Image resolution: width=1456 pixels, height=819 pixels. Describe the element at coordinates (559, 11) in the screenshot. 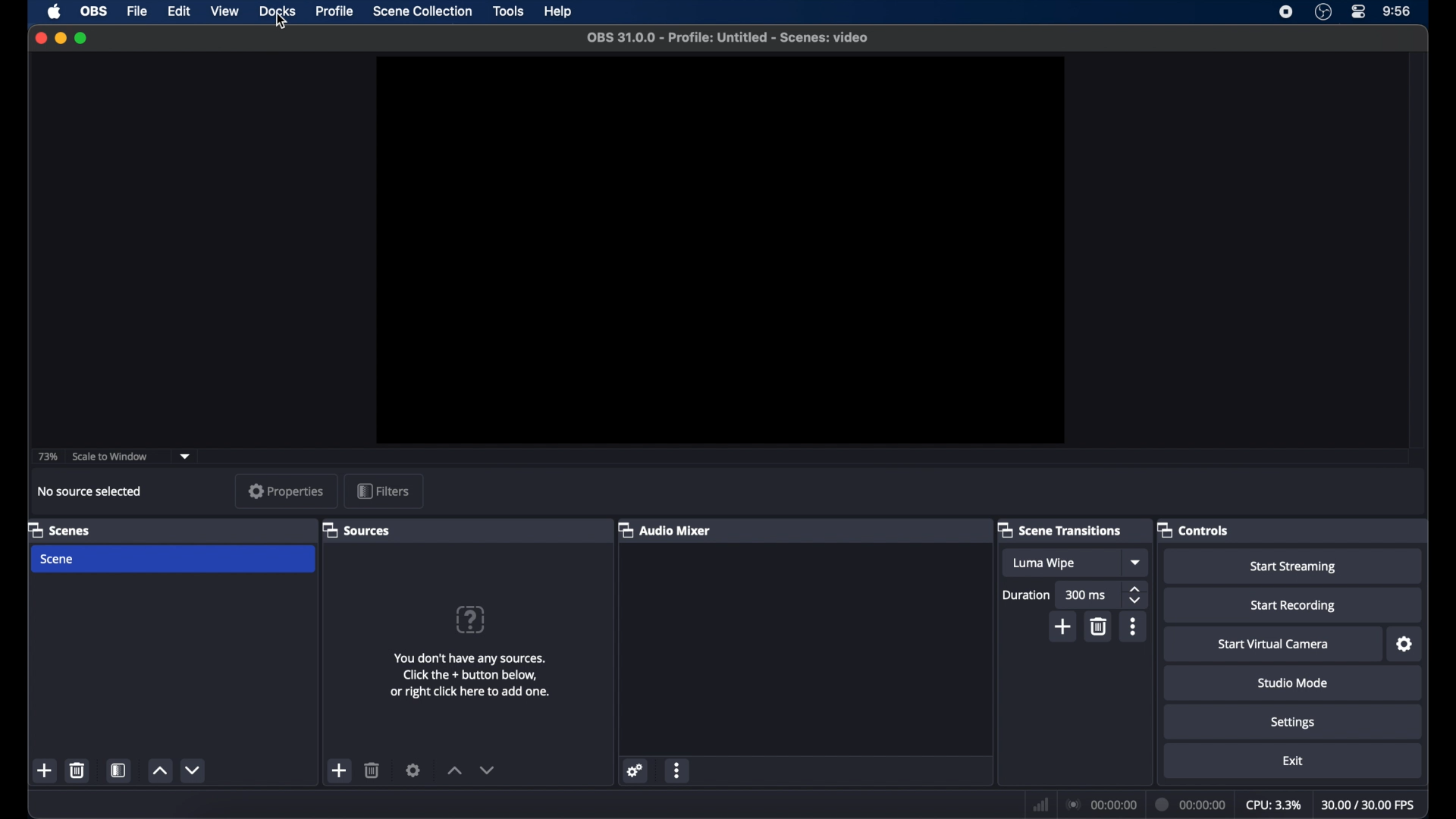

I see `help` at that location.